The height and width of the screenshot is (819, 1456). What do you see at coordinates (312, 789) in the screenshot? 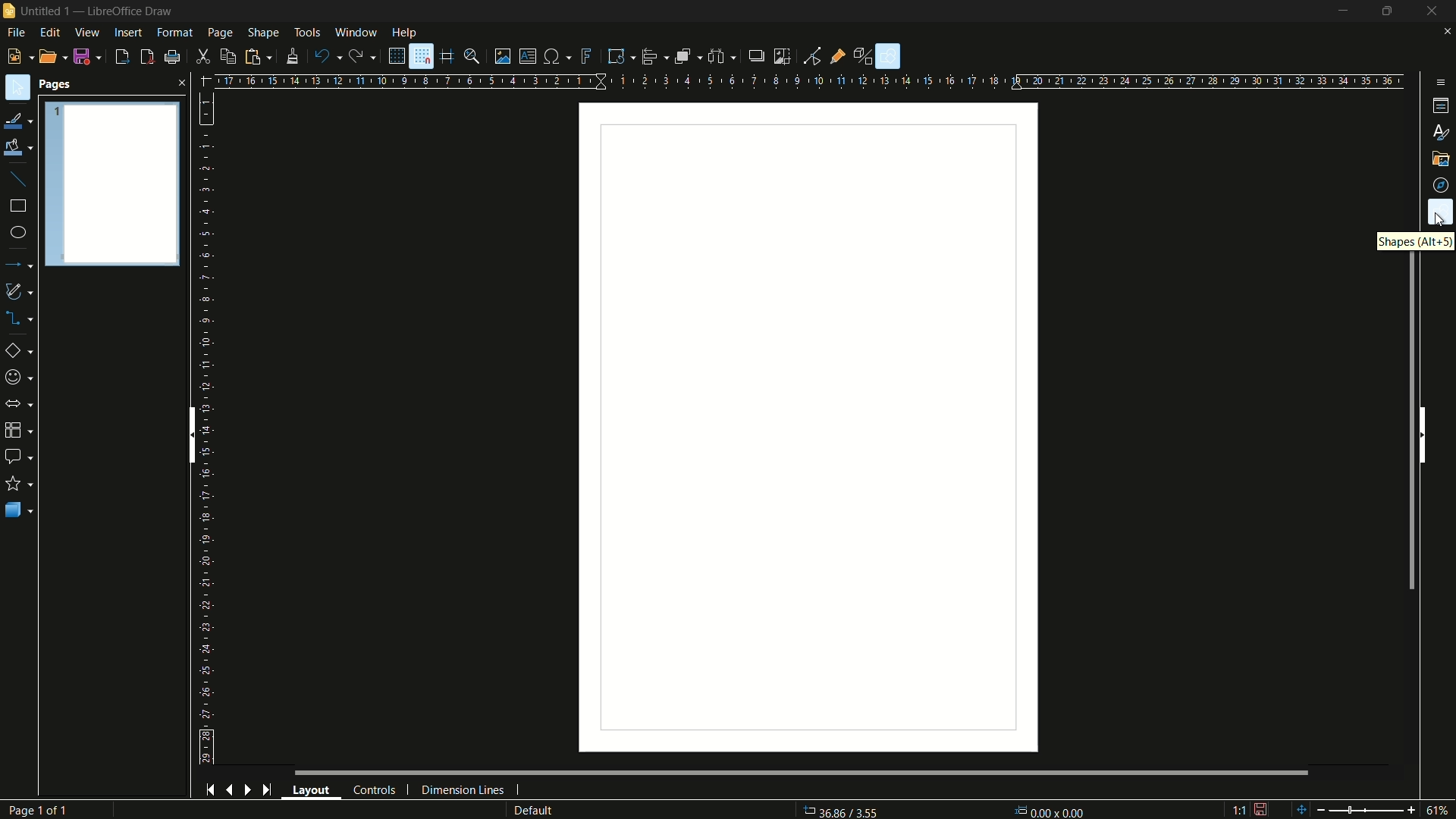
I see `layout` at bounding box center [312, 789].